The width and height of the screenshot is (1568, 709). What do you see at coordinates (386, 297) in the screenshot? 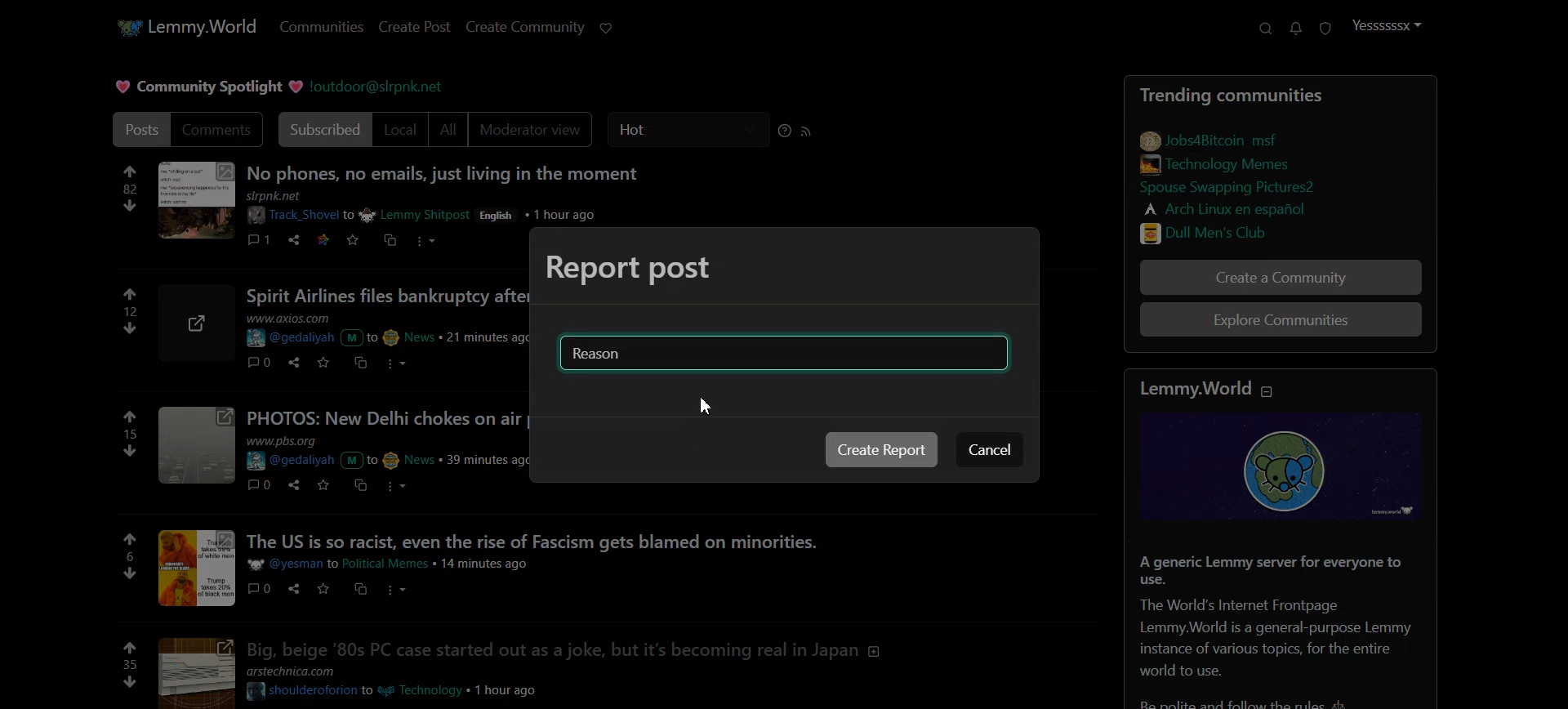
I see `post ` at bounding box center [386, 297].